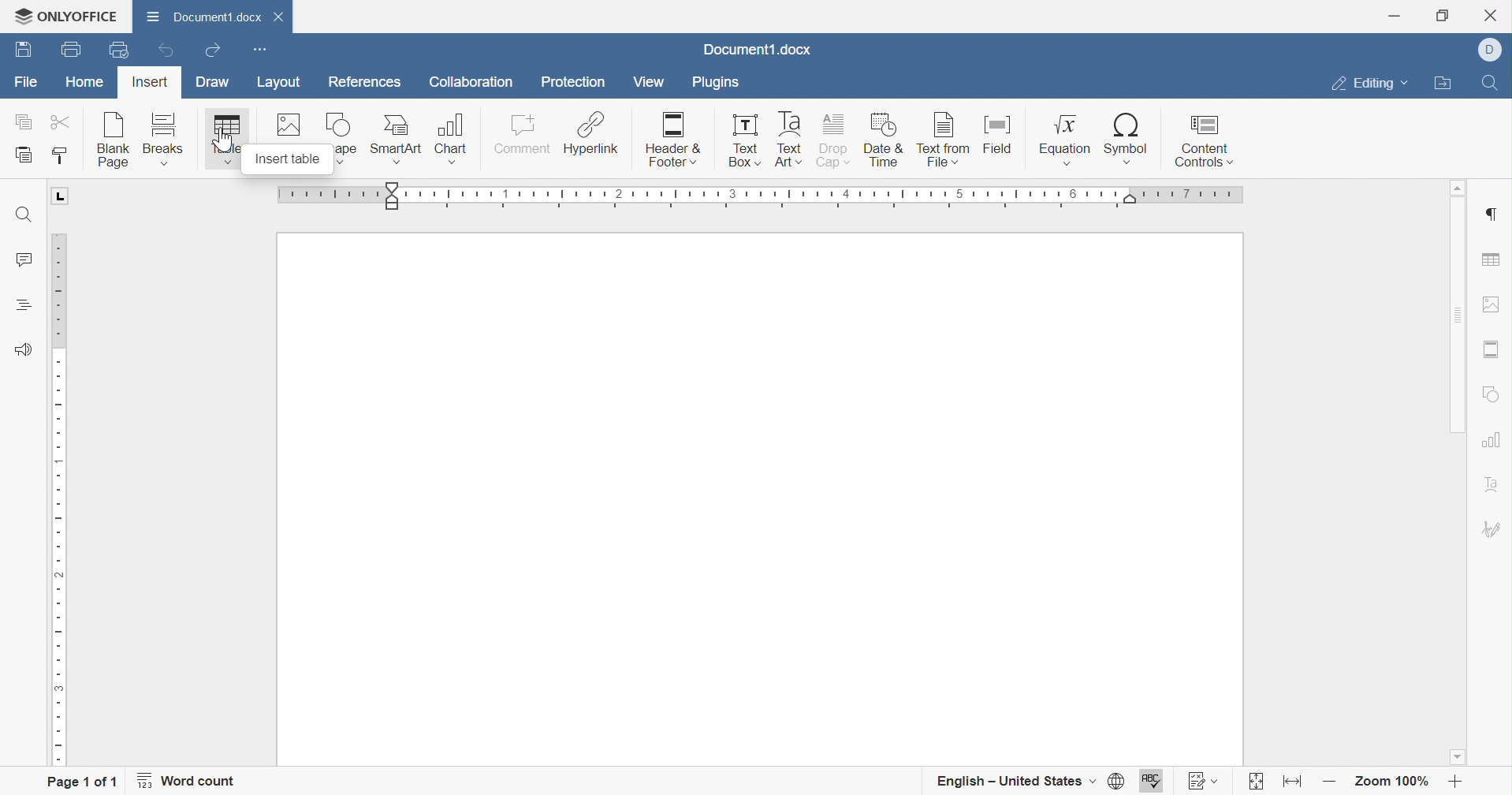 The image size is (1512, 795). I want to click on Insert, so click(151, 82).